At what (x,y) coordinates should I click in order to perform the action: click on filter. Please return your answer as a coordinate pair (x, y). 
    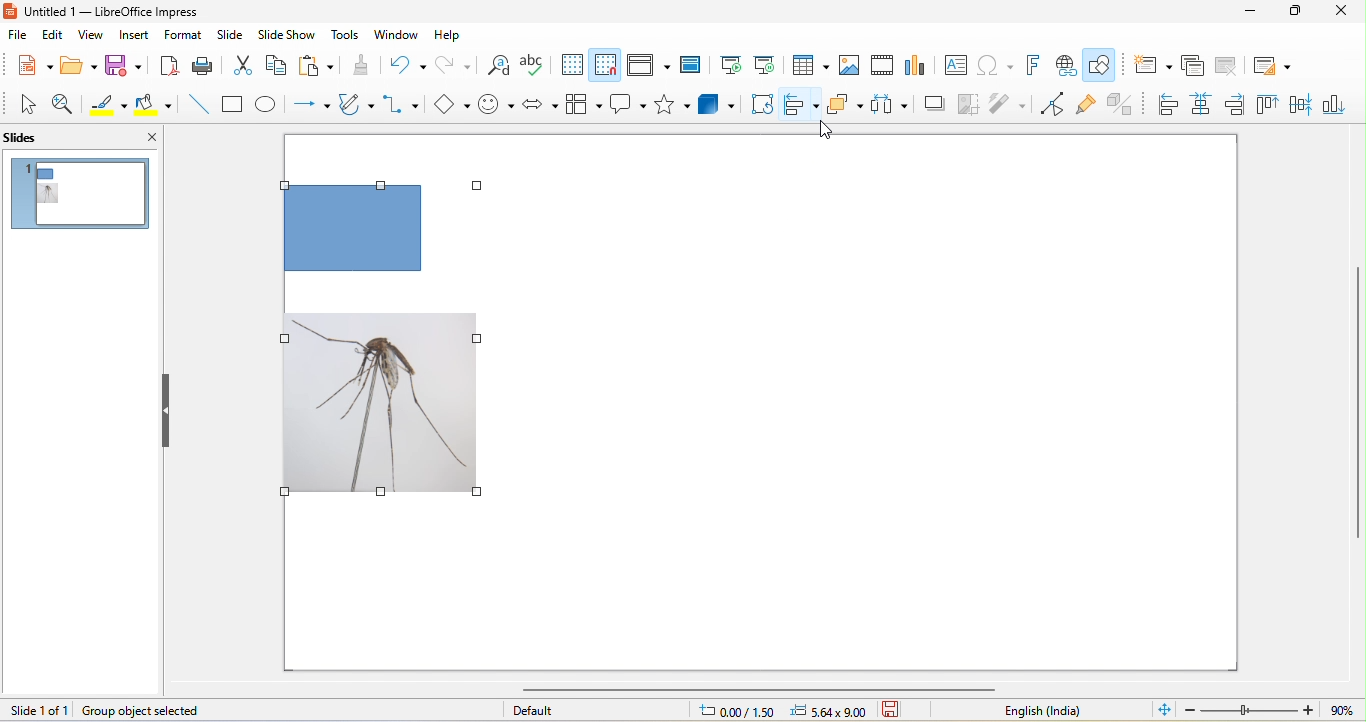
    Looking at the image, I should click on (1010, 106).